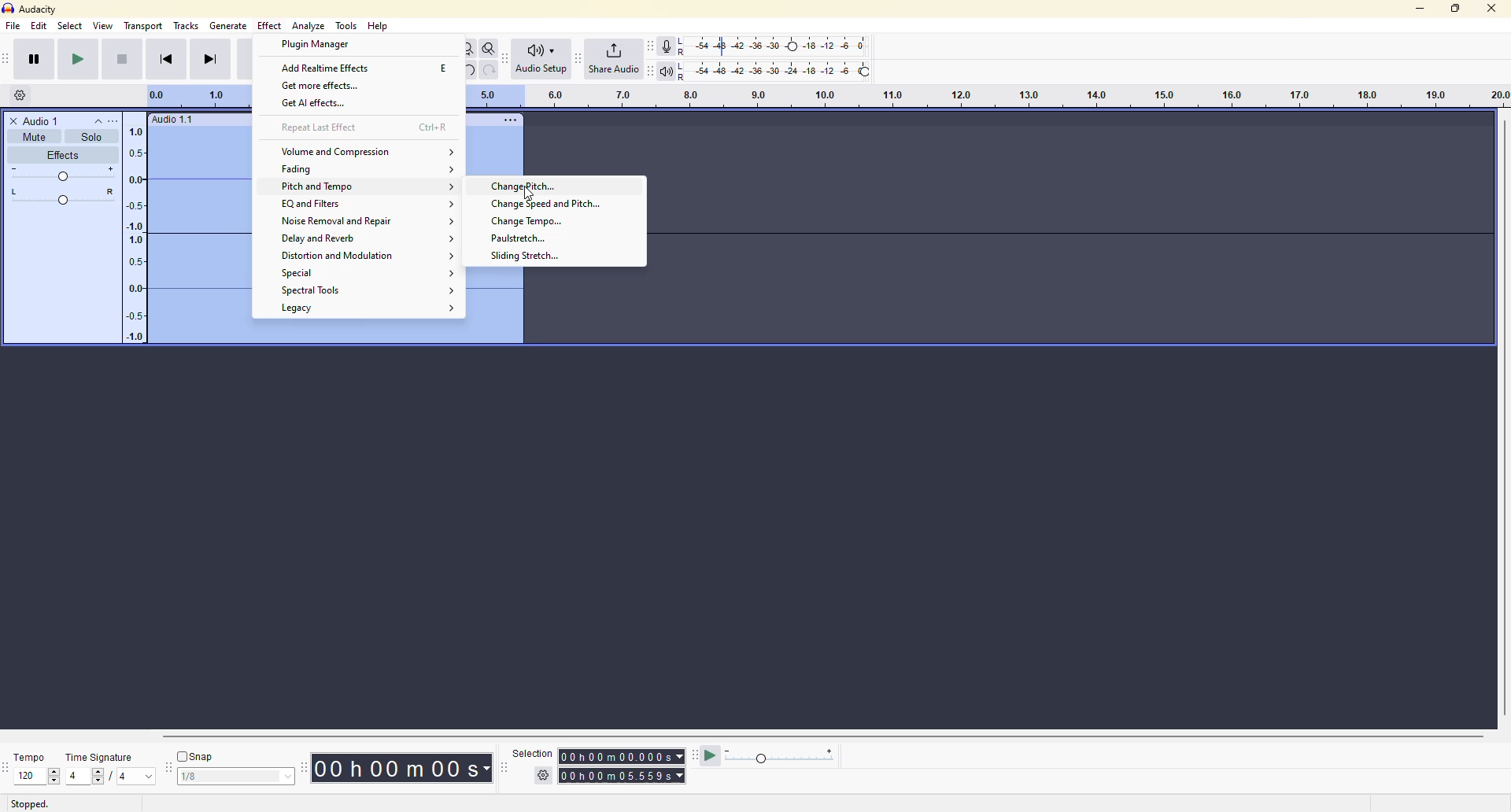 The width and height of the screenshot is (1511, 812). What do you see at coordinates (451, 292) in the screenshot?
I see `expand` at bounding box center [451, 292].